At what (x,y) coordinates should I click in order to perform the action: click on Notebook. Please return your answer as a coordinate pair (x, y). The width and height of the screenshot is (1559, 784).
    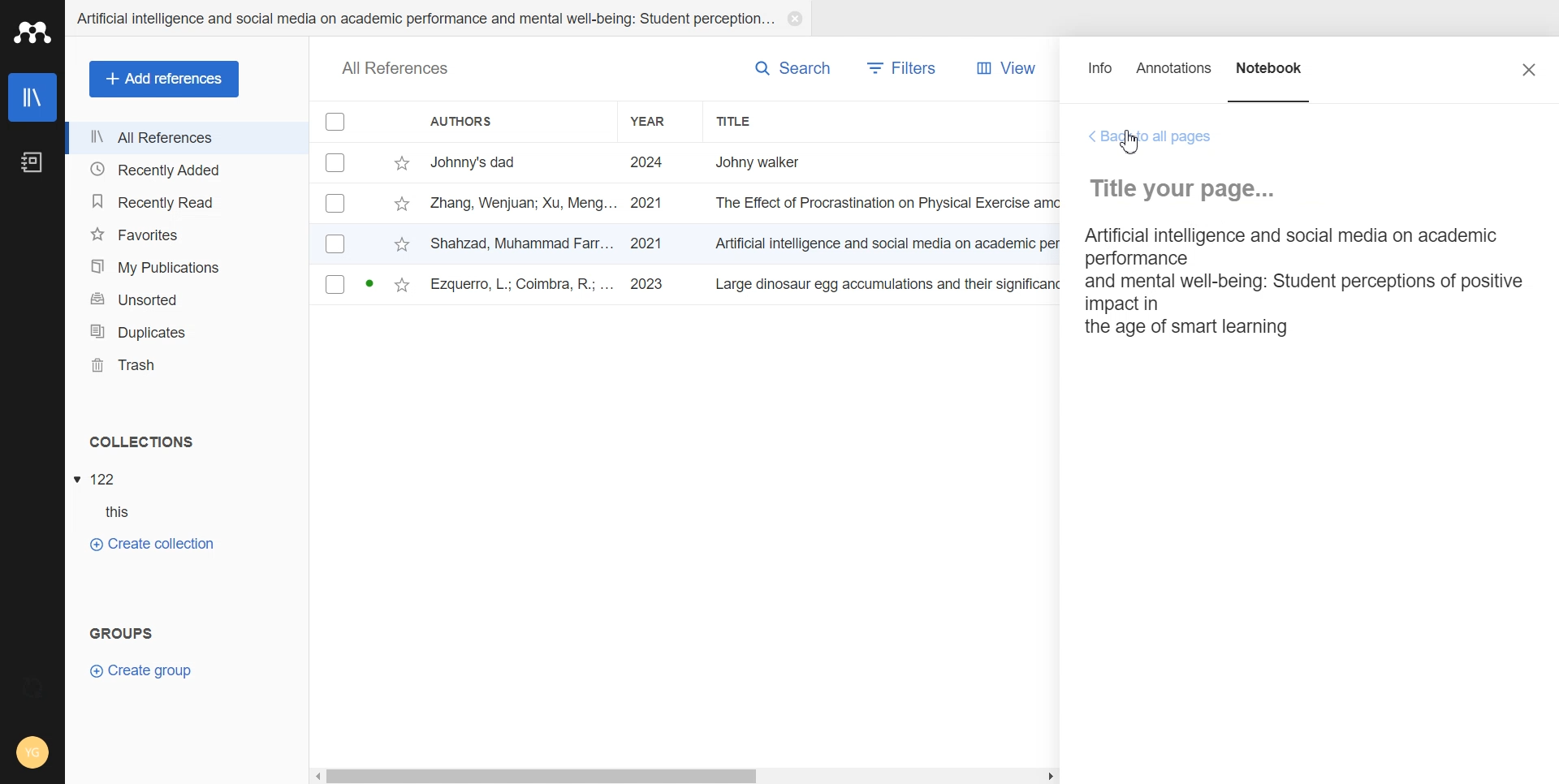
    Looking at the image, I should click on (31, 163).